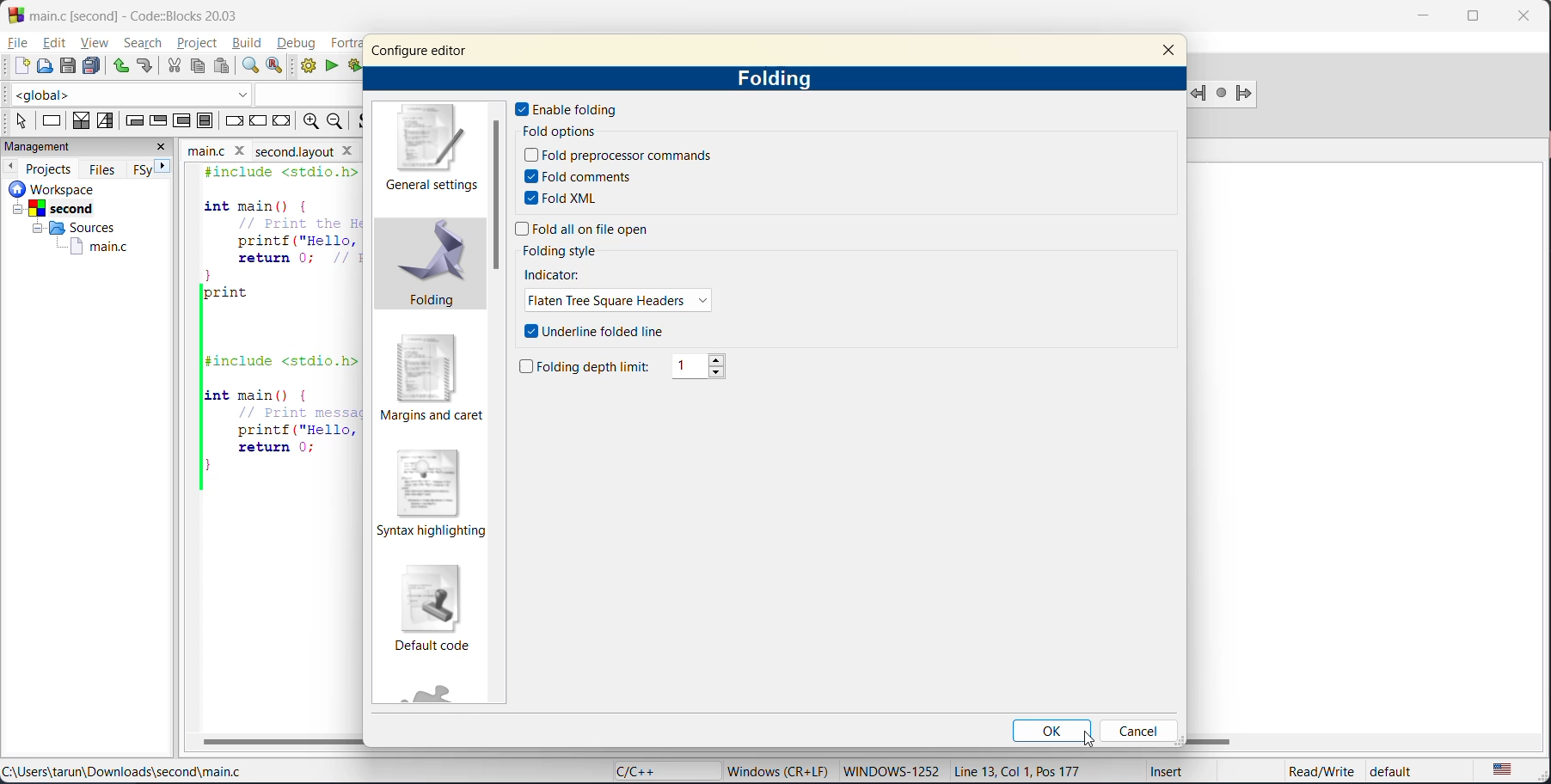 This screenshot has width=1551, height=784. What do you see at coordinates (259, 122) in the screenshot?
I see `continue instruction` at bounding box center [259, 122].